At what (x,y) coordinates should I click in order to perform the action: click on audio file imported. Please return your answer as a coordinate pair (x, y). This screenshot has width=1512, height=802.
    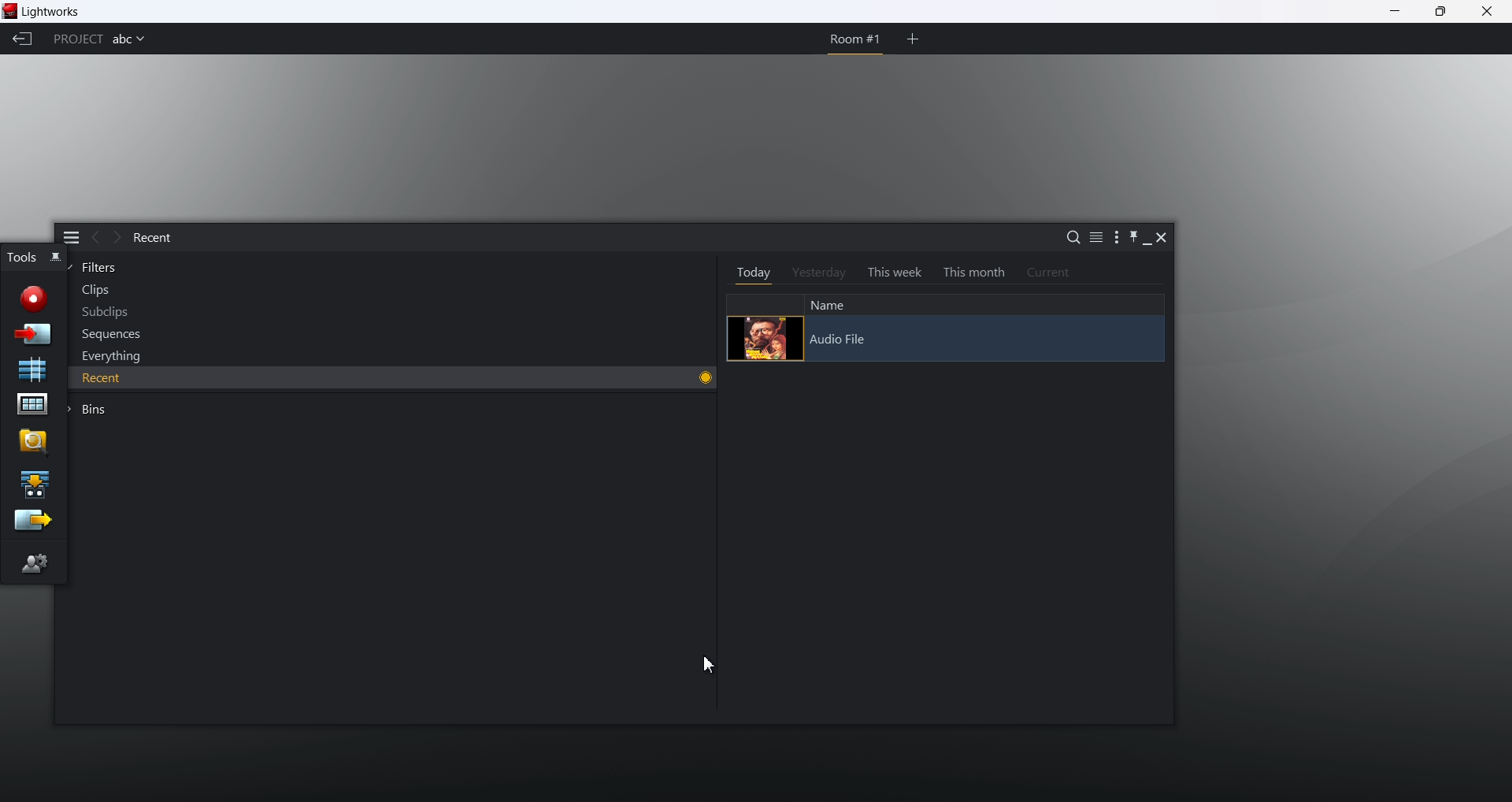
    Looking at the image, I should click on (945, 338).